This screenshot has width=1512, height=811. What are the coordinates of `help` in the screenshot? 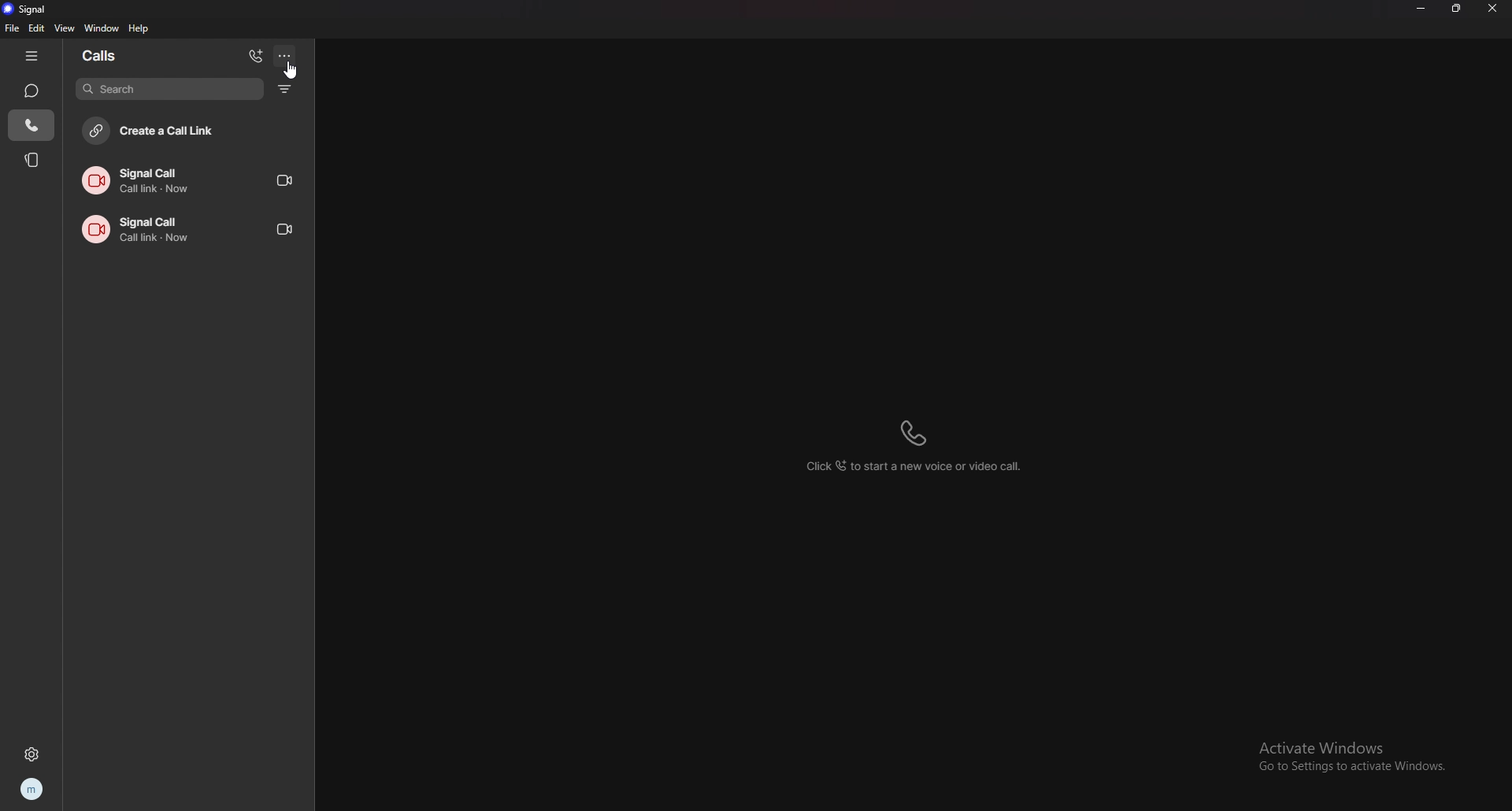 It's located at (140, 28).